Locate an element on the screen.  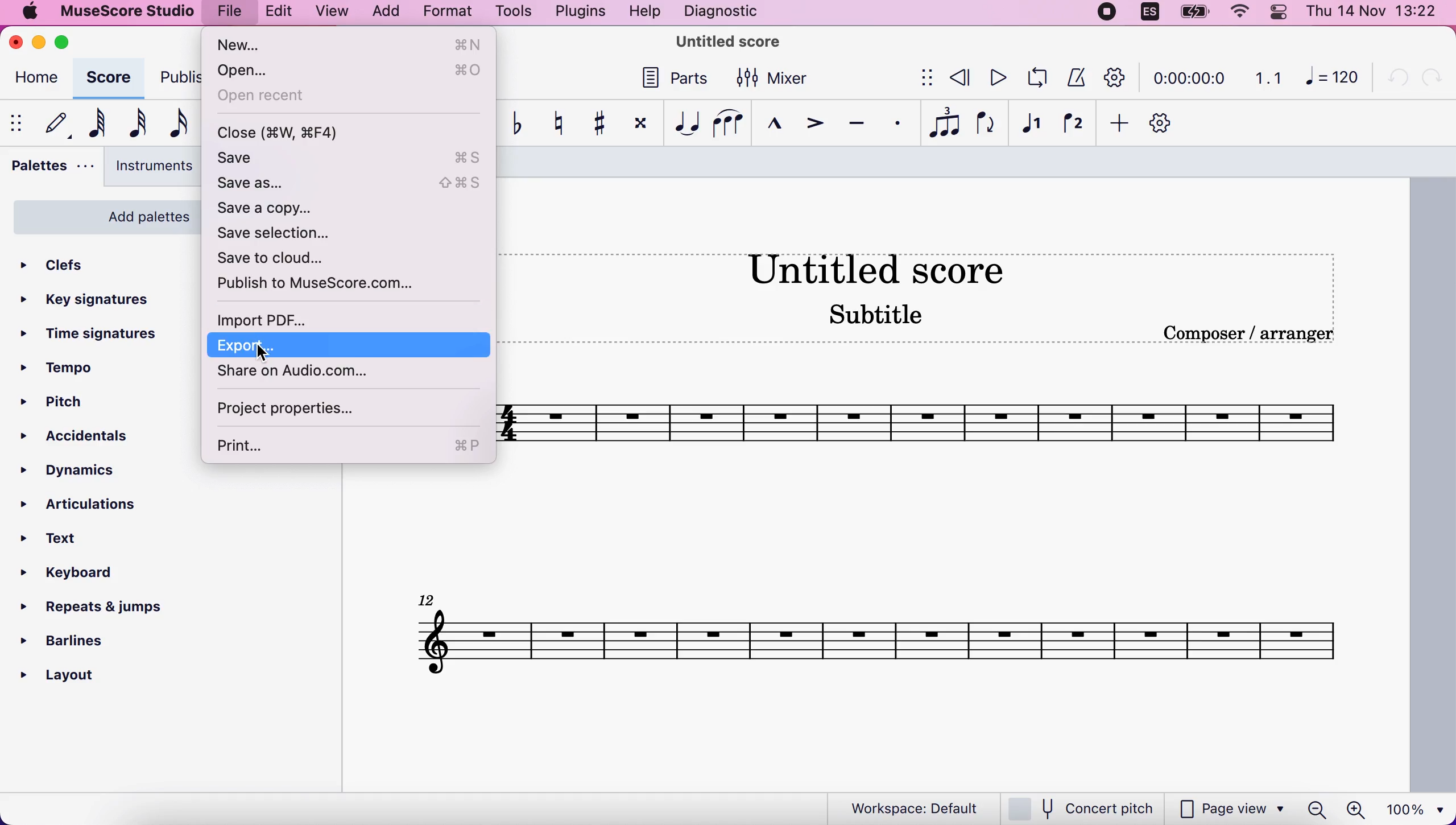
musical scales is located at coordinates (924, 416).